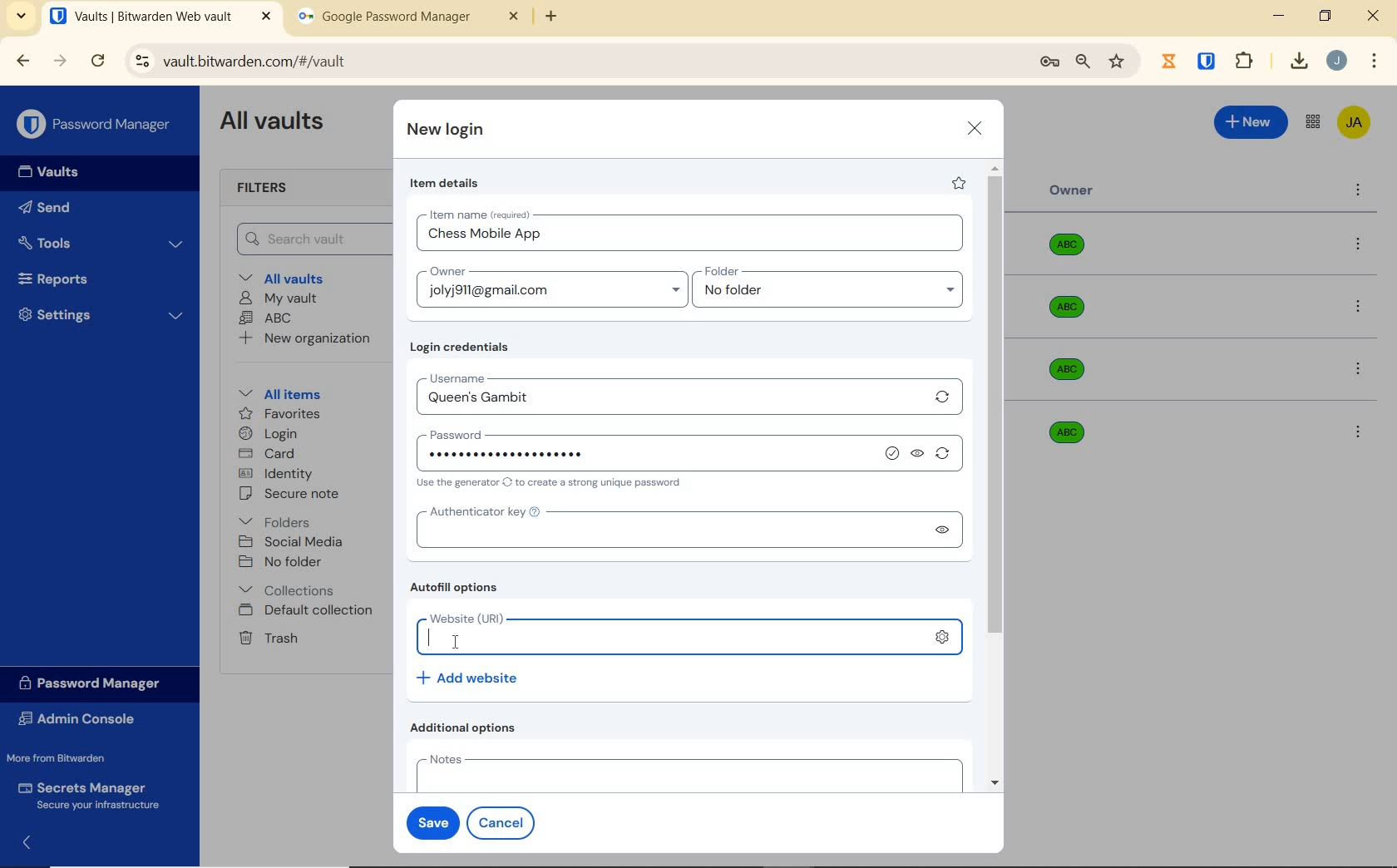 The width and height of the screenshot is (1397, 868). What do you see at coordinates (940, 530) in the screenshot?
I see `unhide` at bounding box center [940, 530].